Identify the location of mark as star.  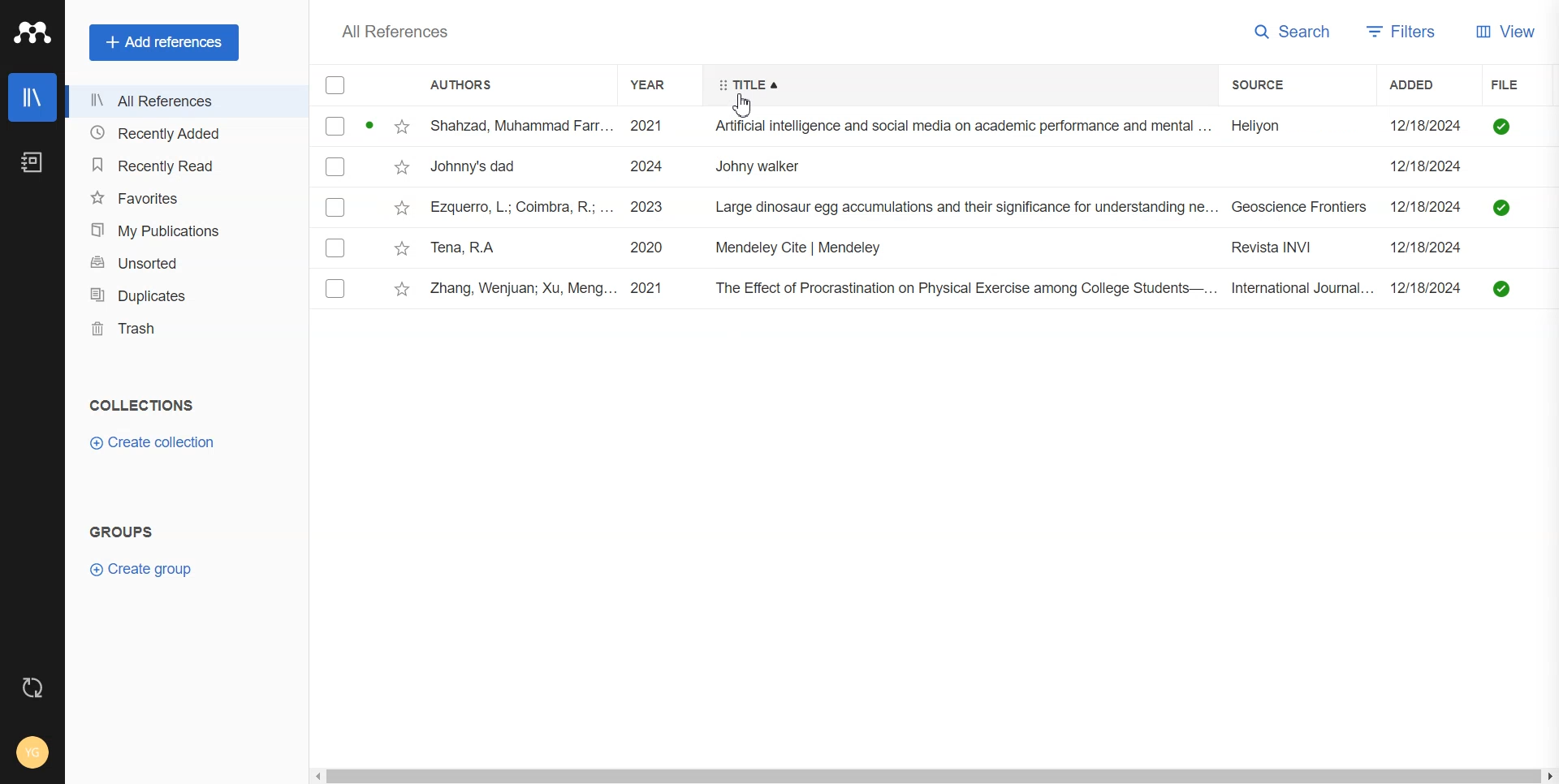
(399, 207).